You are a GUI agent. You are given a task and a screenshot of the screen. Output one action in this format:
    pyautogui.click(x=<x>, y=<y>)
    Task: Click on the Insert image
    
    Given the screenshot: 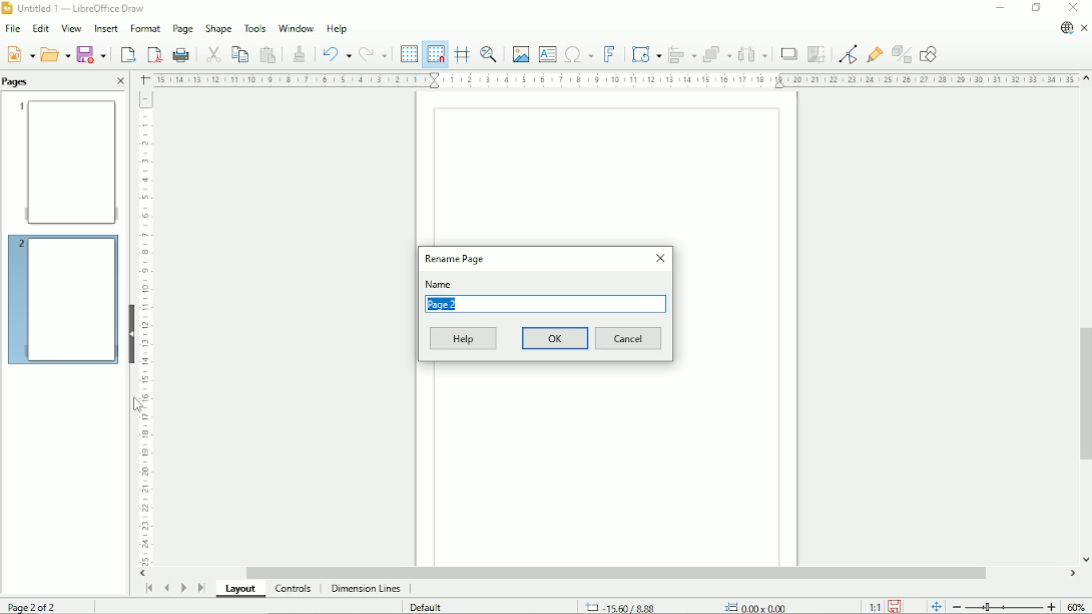 What is the action you would take?
    pyautogui.click(x=519, y=54)
    